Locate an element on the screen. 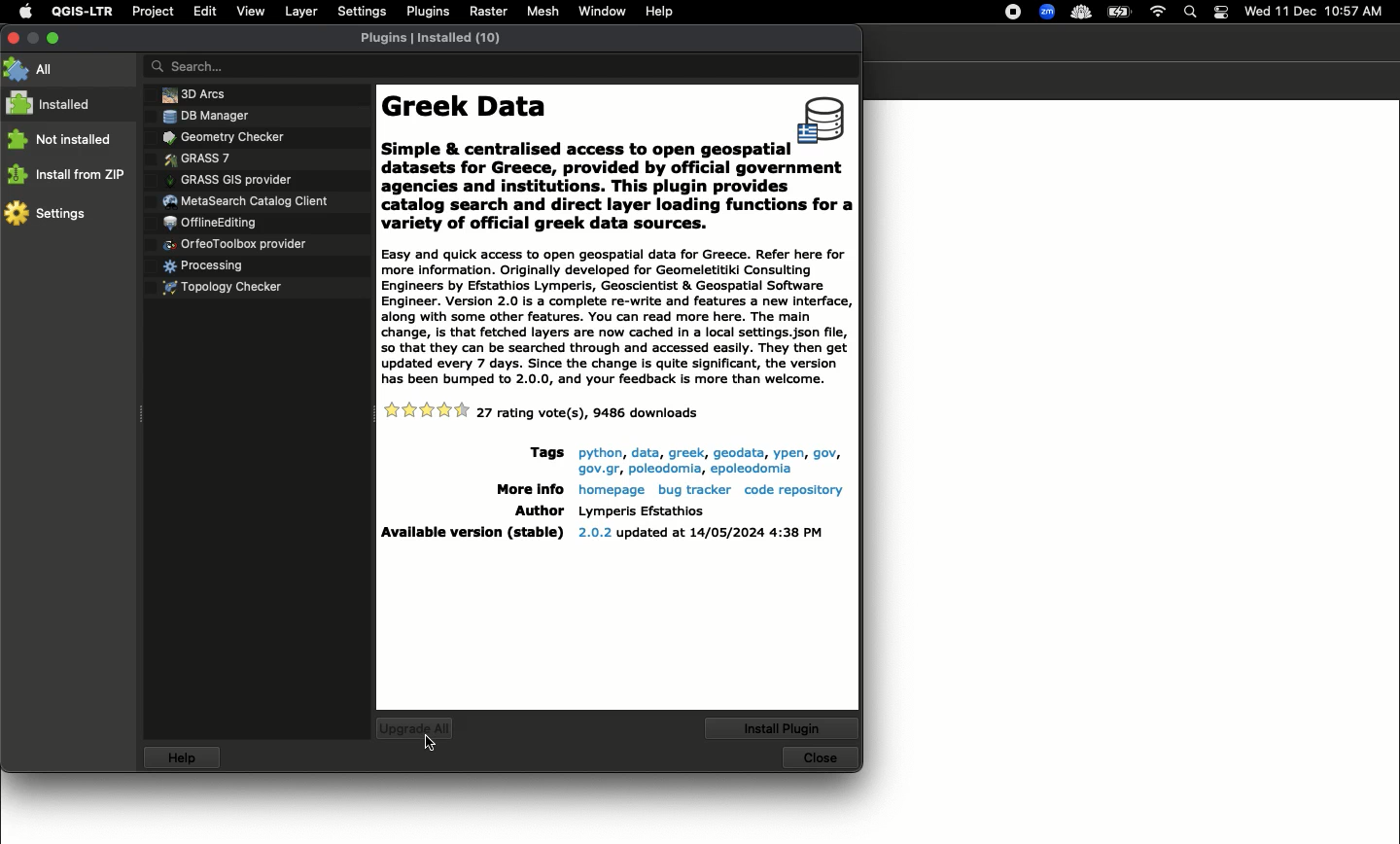 The image size is (1400, 844). 3D Arcs is located at coordinates (189, 94).